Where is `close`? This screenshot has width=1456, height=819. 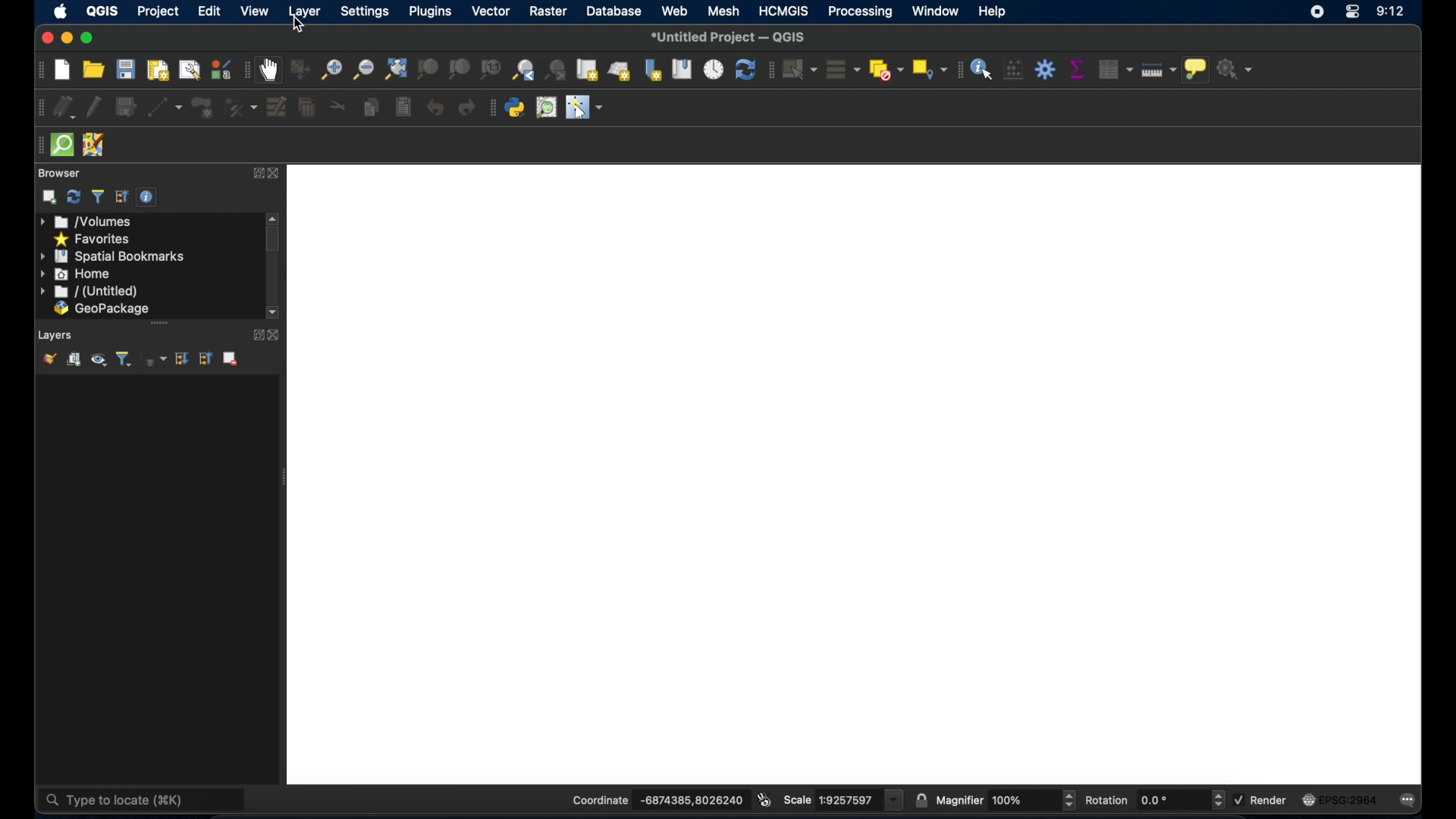 close is located at coordinates (276, 174).